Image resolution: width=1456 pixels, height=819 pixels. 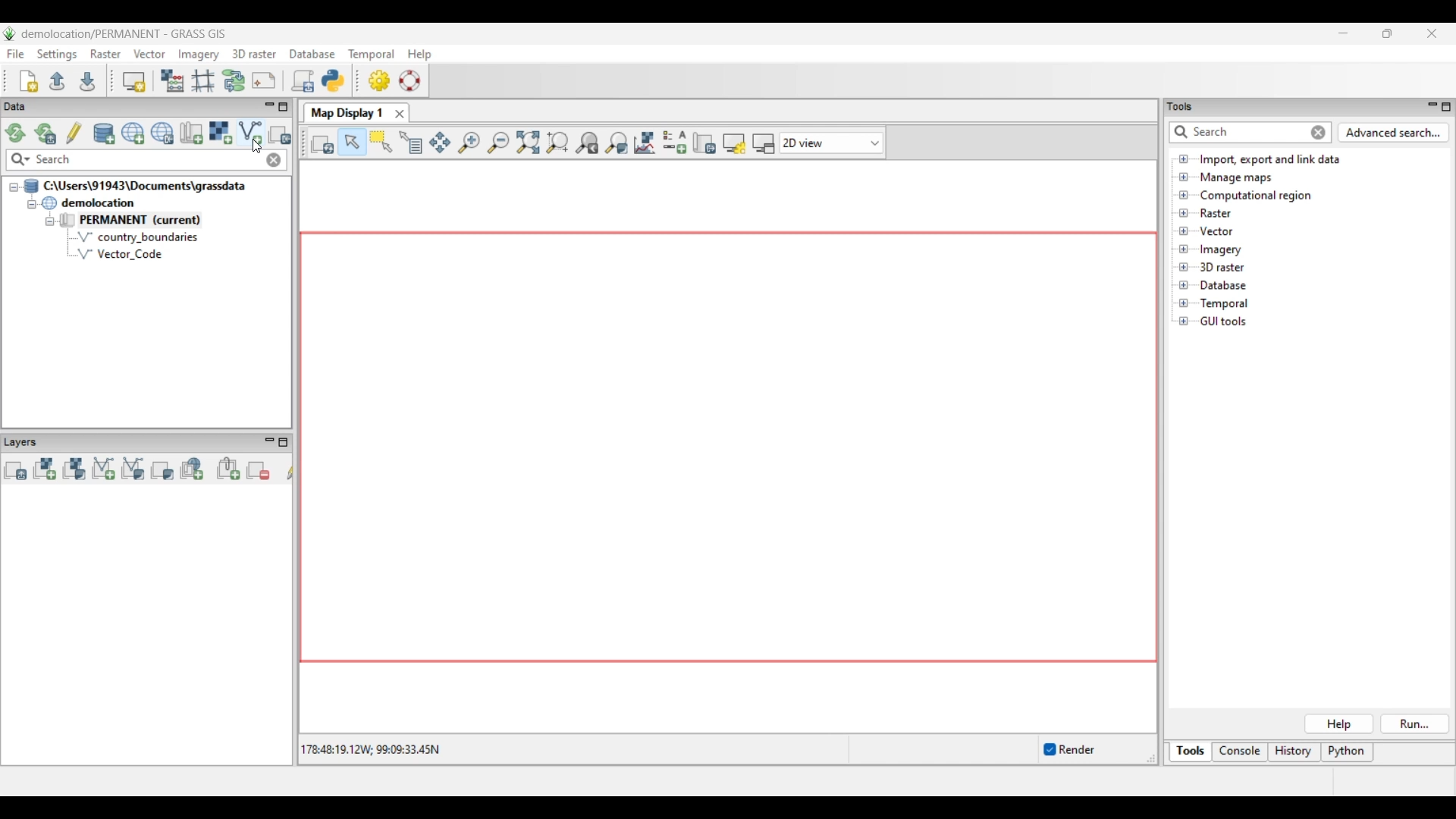 I want to click on Import vector data, current selection, so click(x=250, y=133).